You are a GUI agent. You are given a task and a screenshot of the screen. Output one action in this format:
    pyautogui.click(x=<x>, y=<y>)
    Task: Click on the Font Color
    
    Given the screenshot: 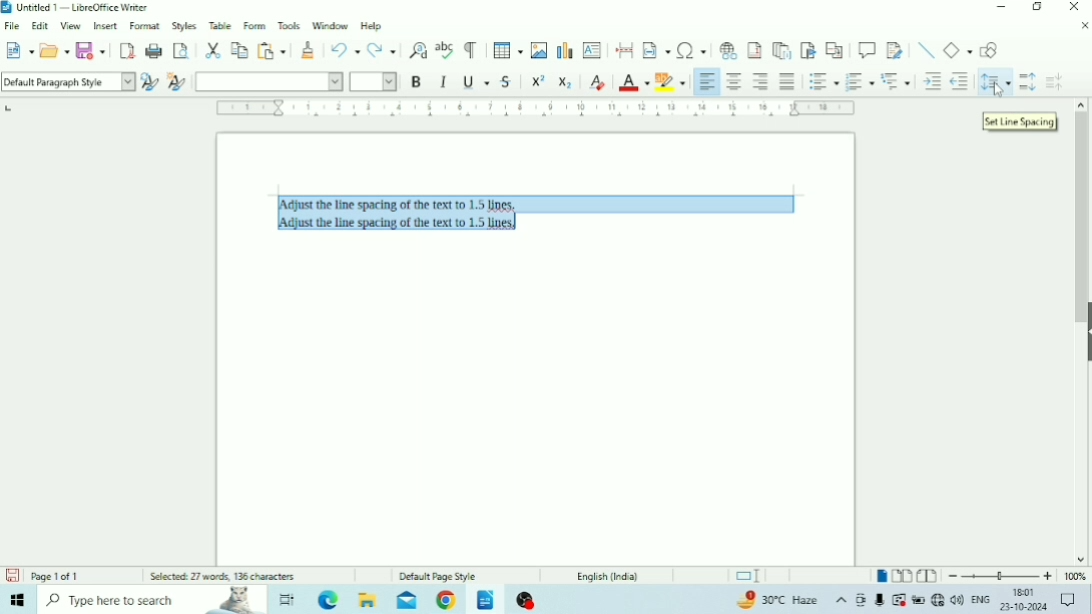 What is the action you would take?
    pyautogui.click(x=634, y=82)
    